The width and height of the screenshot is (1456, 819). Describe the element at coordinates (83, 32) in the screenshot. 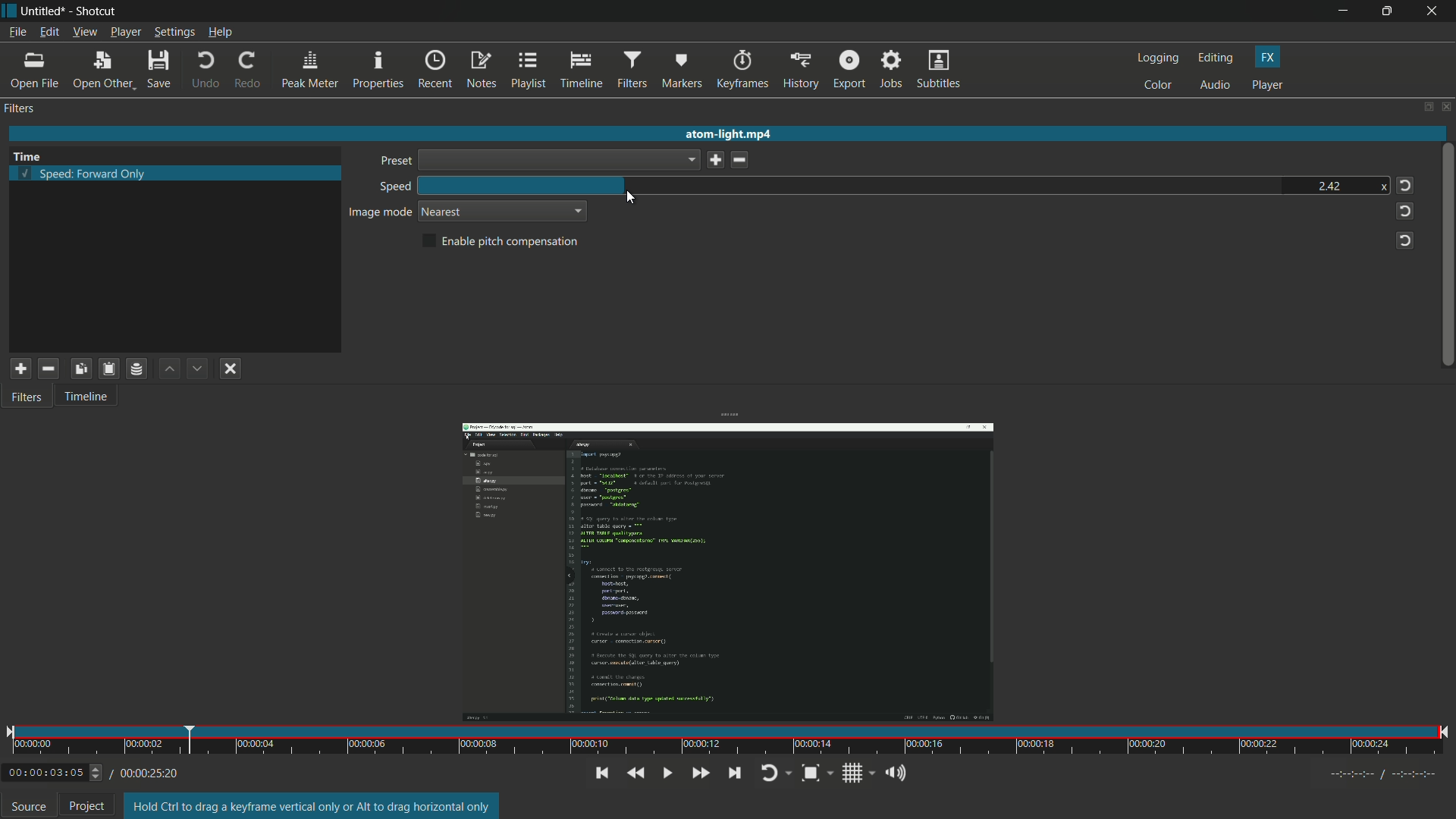

I see `view menu` at that location.